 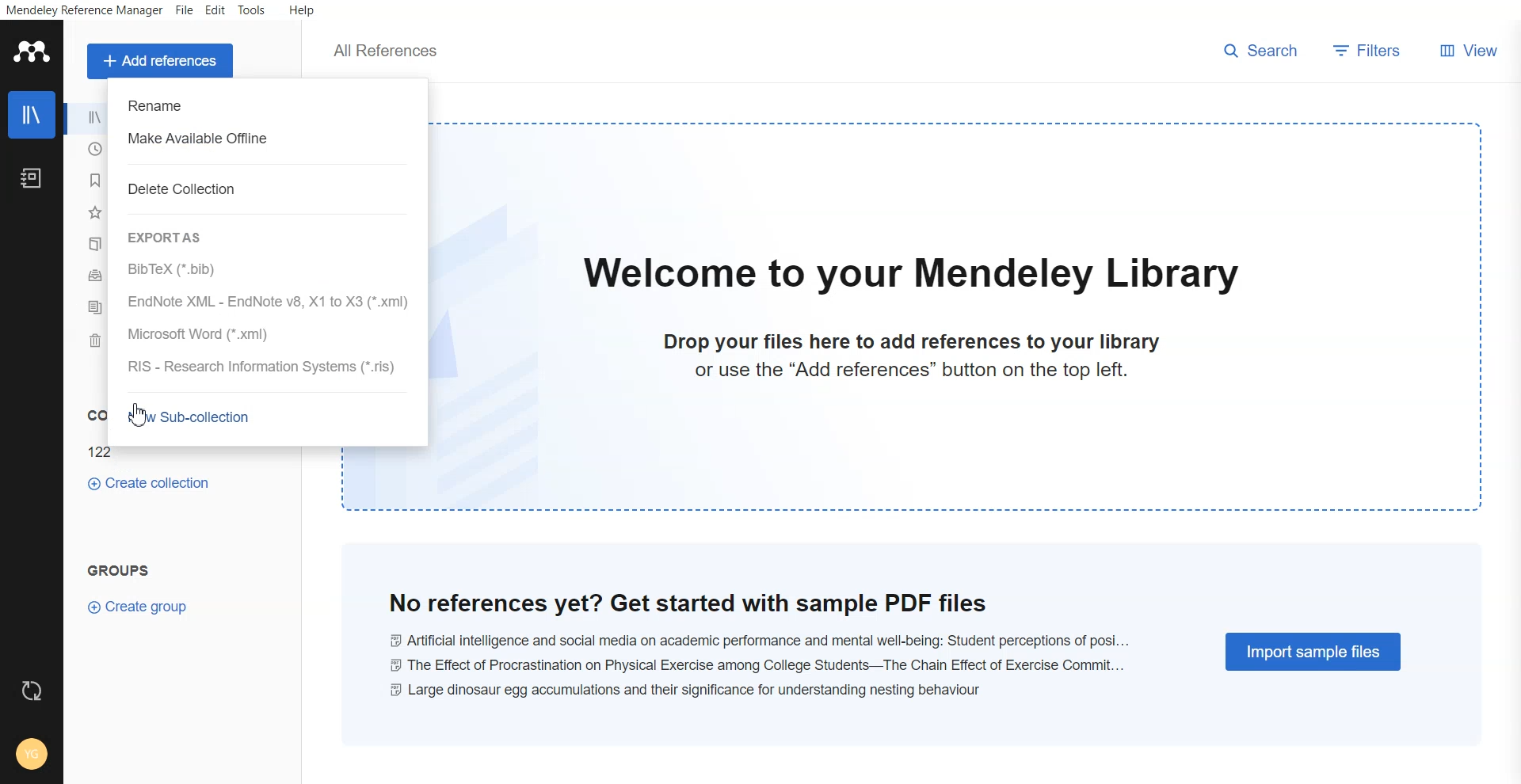 I want to click on Delete collection, so click(x=253, y=188).